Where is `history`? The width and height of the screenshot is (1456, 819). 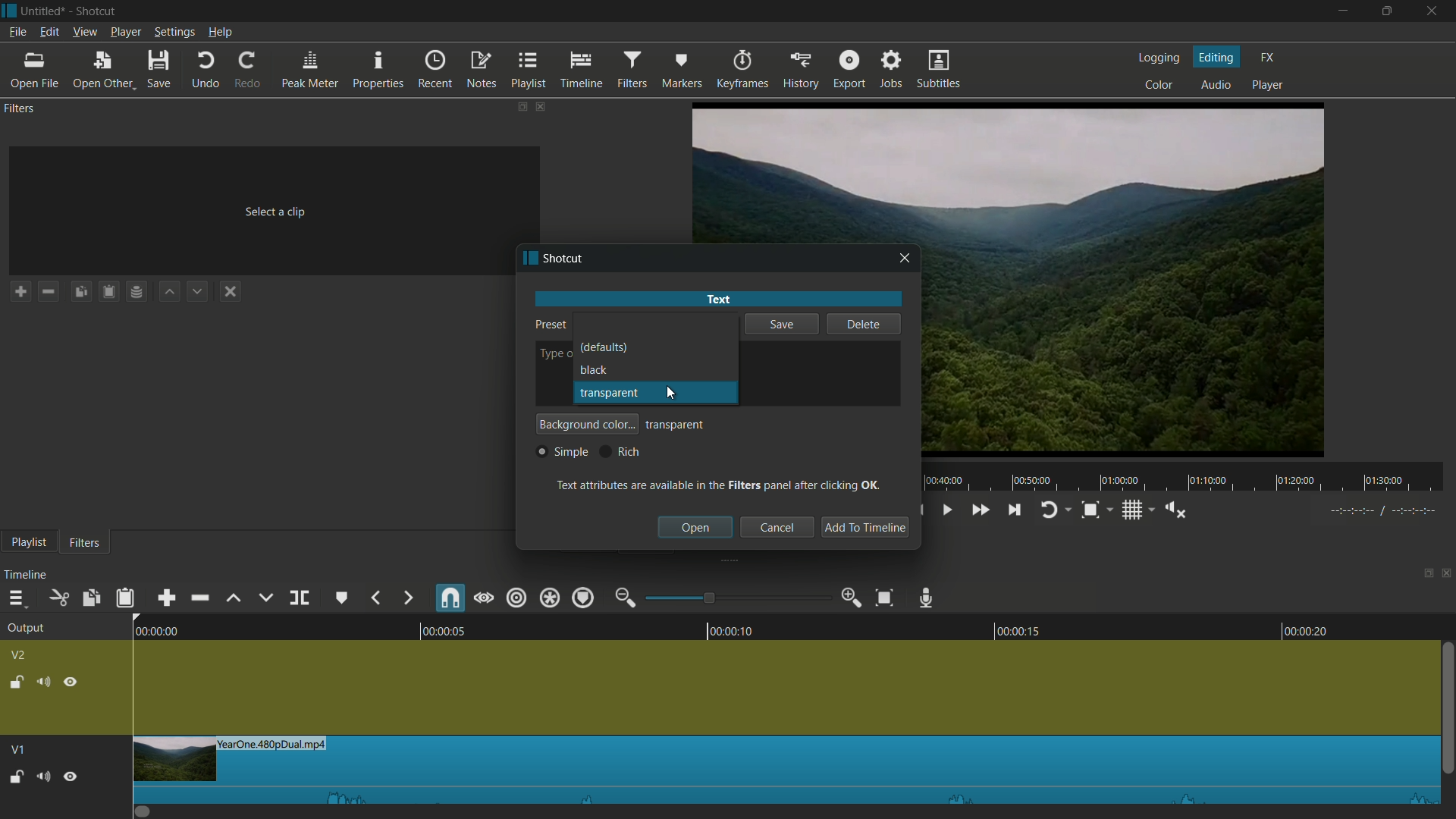
history is located at coordinates (800, 71).